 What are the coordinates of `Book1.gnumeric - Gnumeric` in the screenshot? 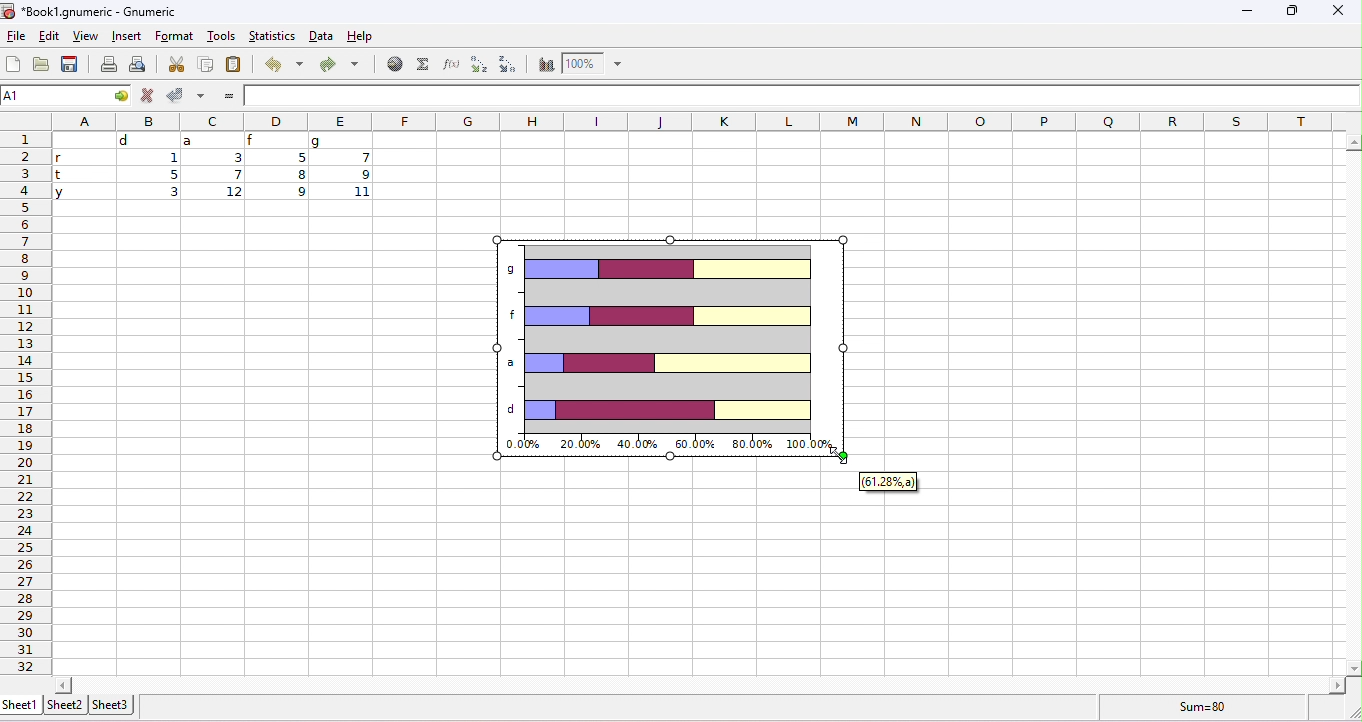 It's located at (92, 11).